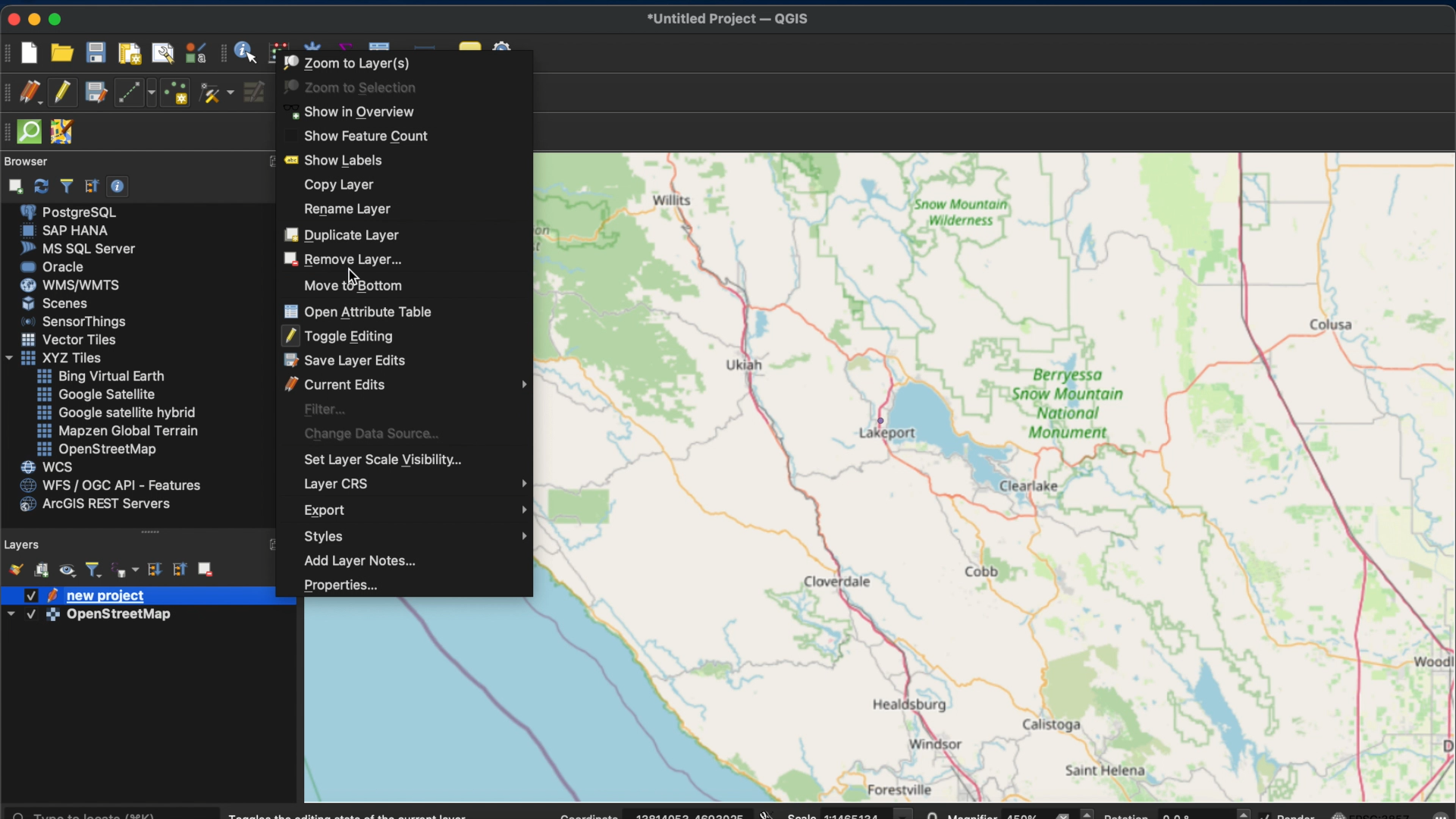 This screenshot has width=1456, height=819. I want to click on google satellite, so click(95, 395).